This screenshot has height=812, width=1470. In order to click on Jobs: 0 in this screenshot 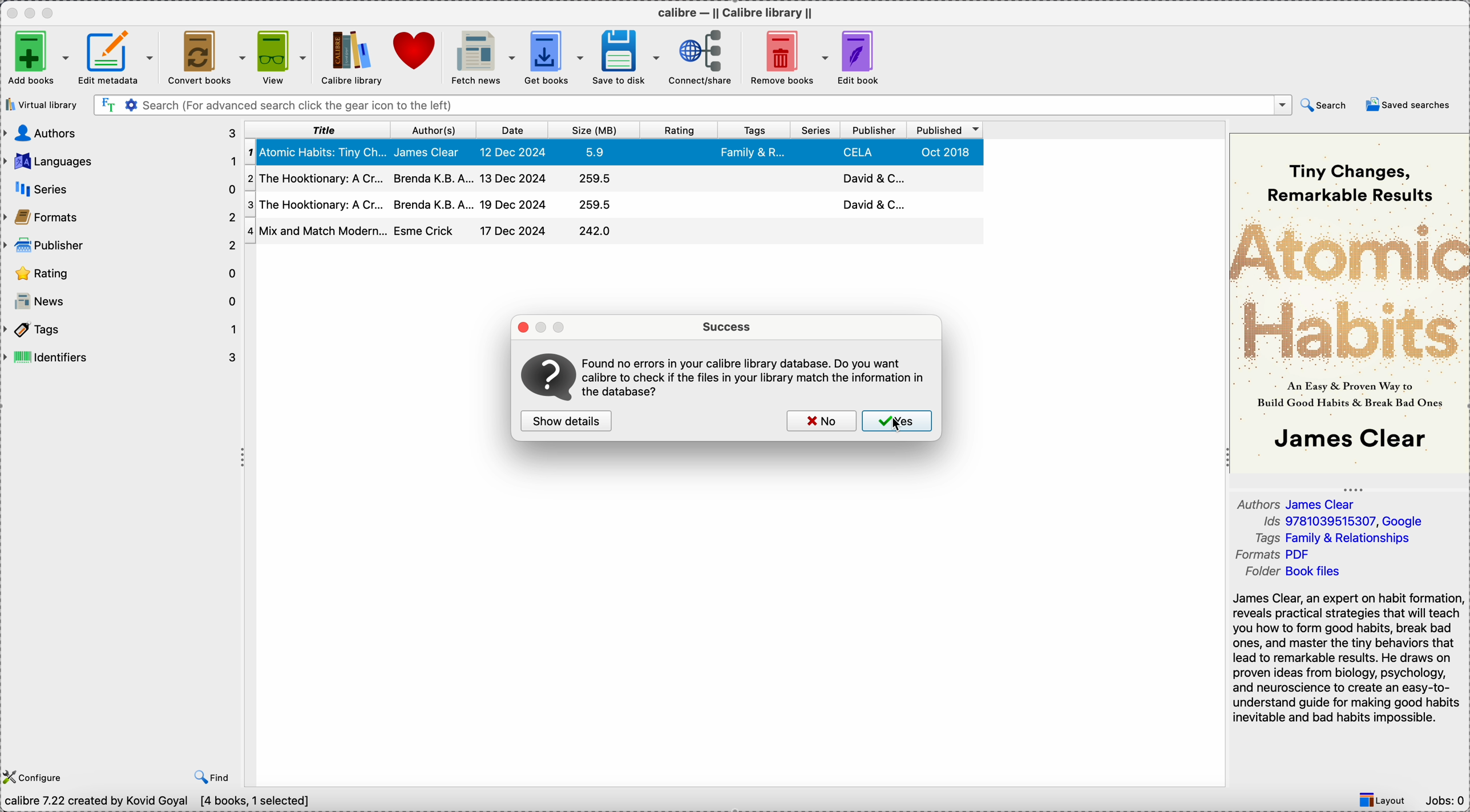, I will do `click(1445, 801)`.